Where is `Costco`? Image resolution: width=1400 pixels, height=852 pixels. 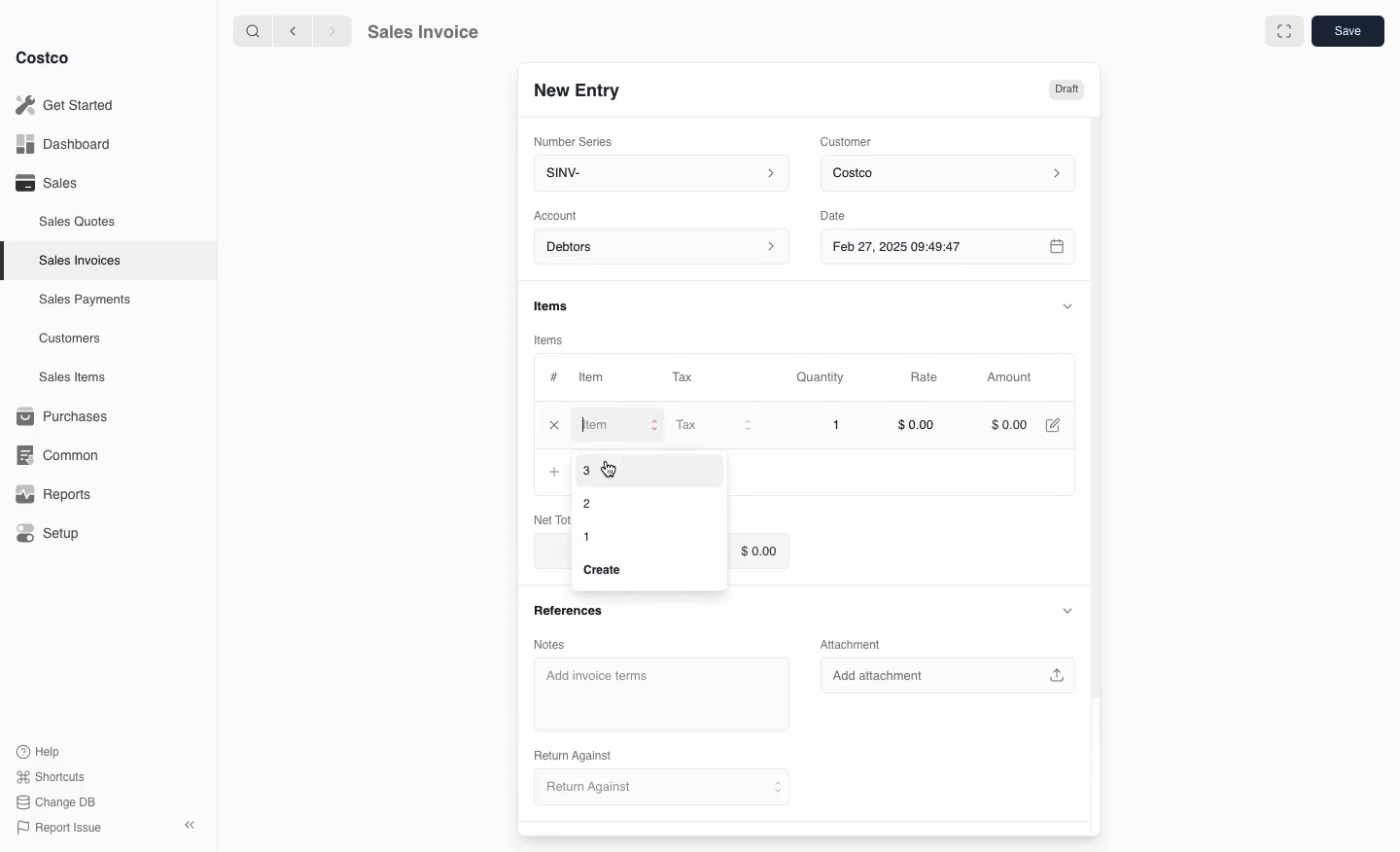 Costco is located at coordinates (44, 58).